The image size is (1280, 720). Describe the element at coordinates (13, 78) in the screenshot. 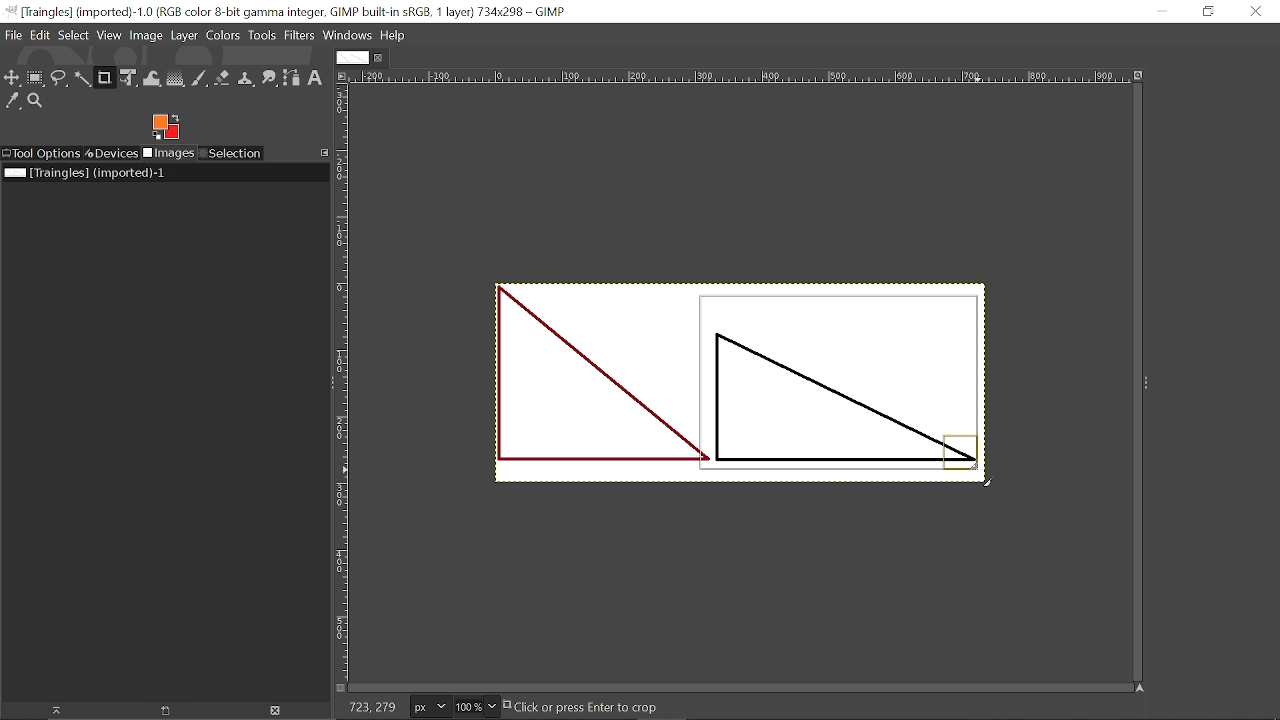

I see `move tool` at that location.